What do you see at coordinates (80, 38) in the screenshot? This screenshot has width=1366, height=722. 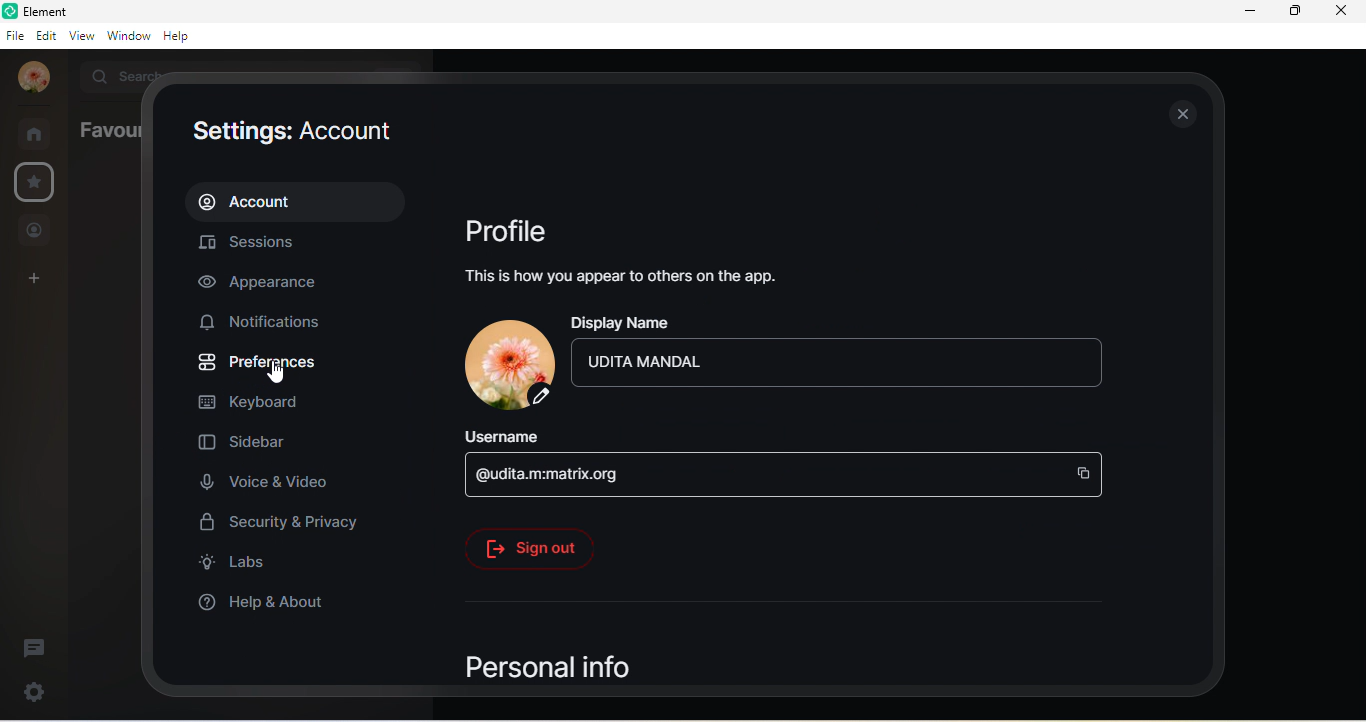 I see `view` at bounding box center [80, 38].